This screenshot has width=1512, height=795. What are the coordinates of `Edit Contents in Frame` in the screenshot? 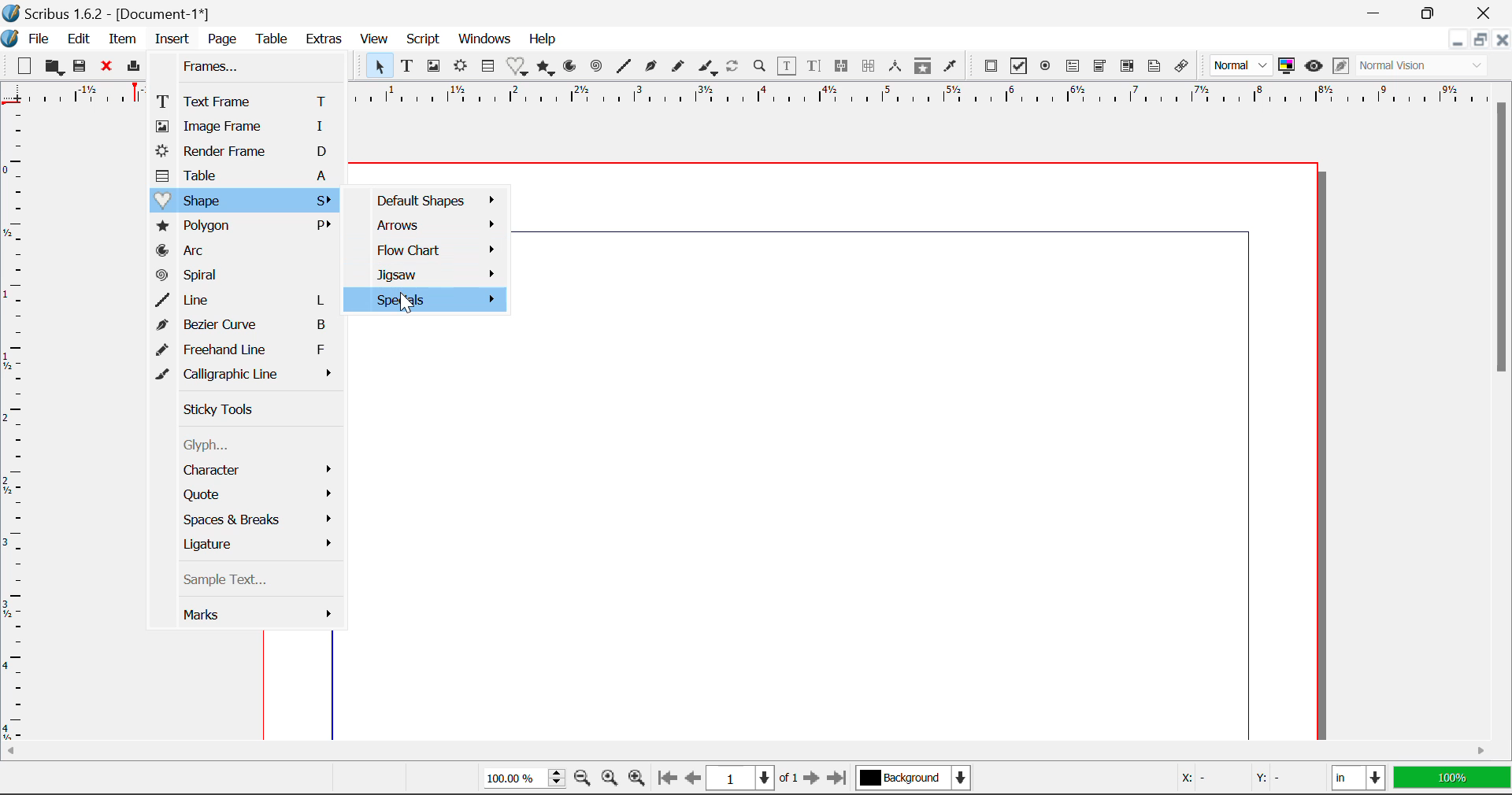 It's located at (788, 66).